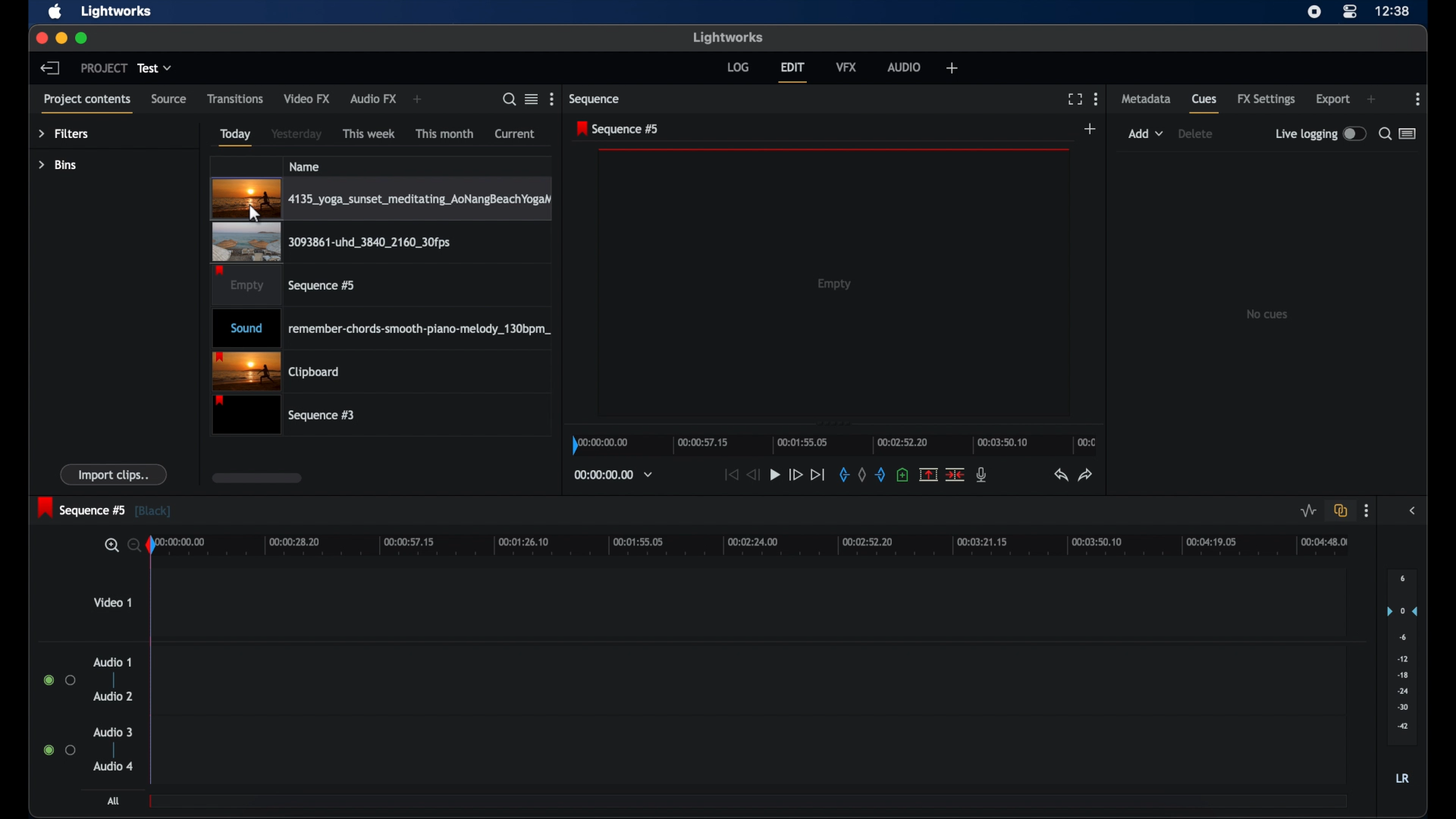 This screenshot has height=819, width=1456. Describe the element at coordinates (155, 67) in the screenshot. I see `test dropdown` at that location.